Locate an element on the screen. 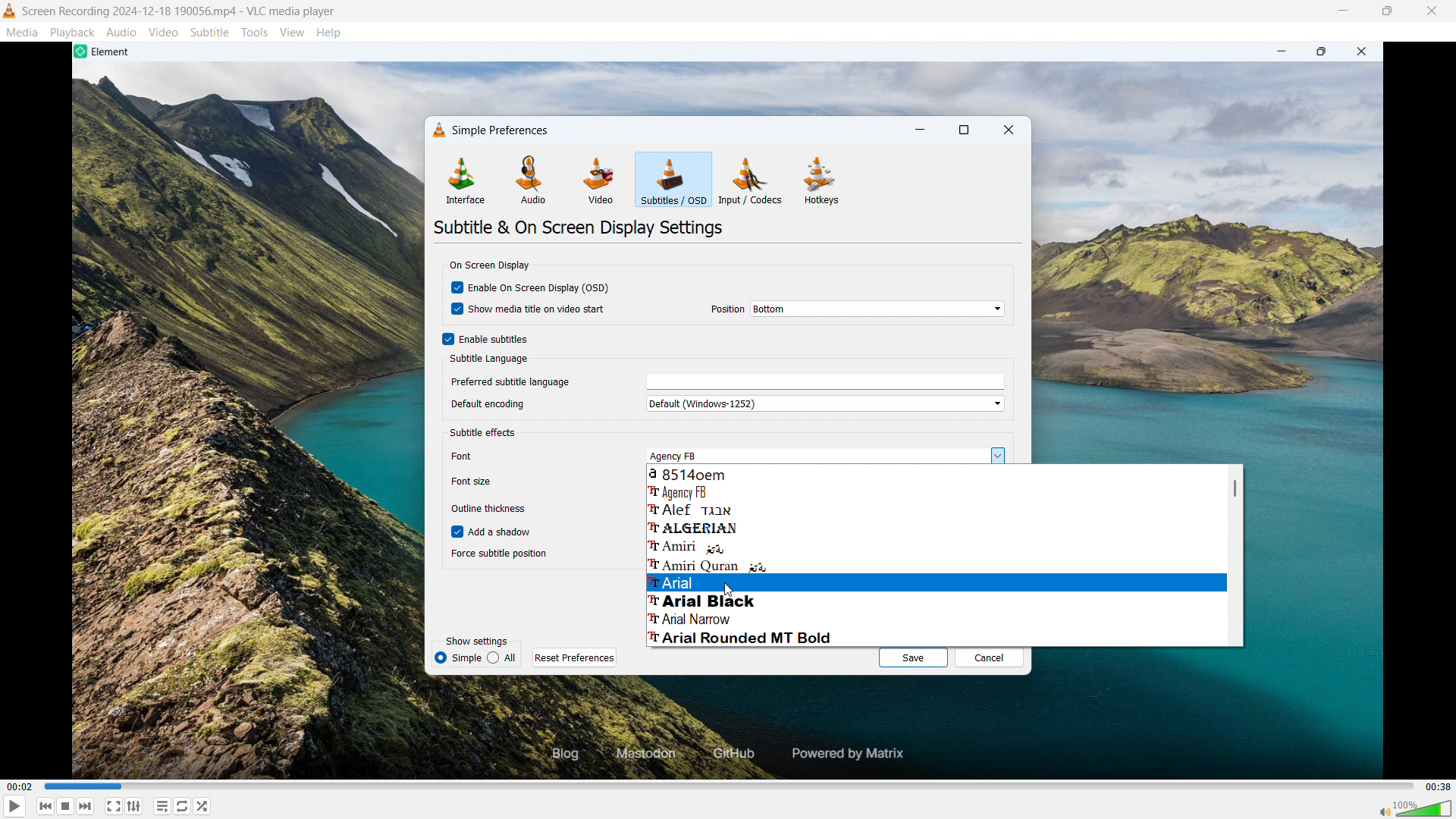 Image resolution: width=1456 pixels, height=819 pixels. minimize is located at coordinates (921, 130).